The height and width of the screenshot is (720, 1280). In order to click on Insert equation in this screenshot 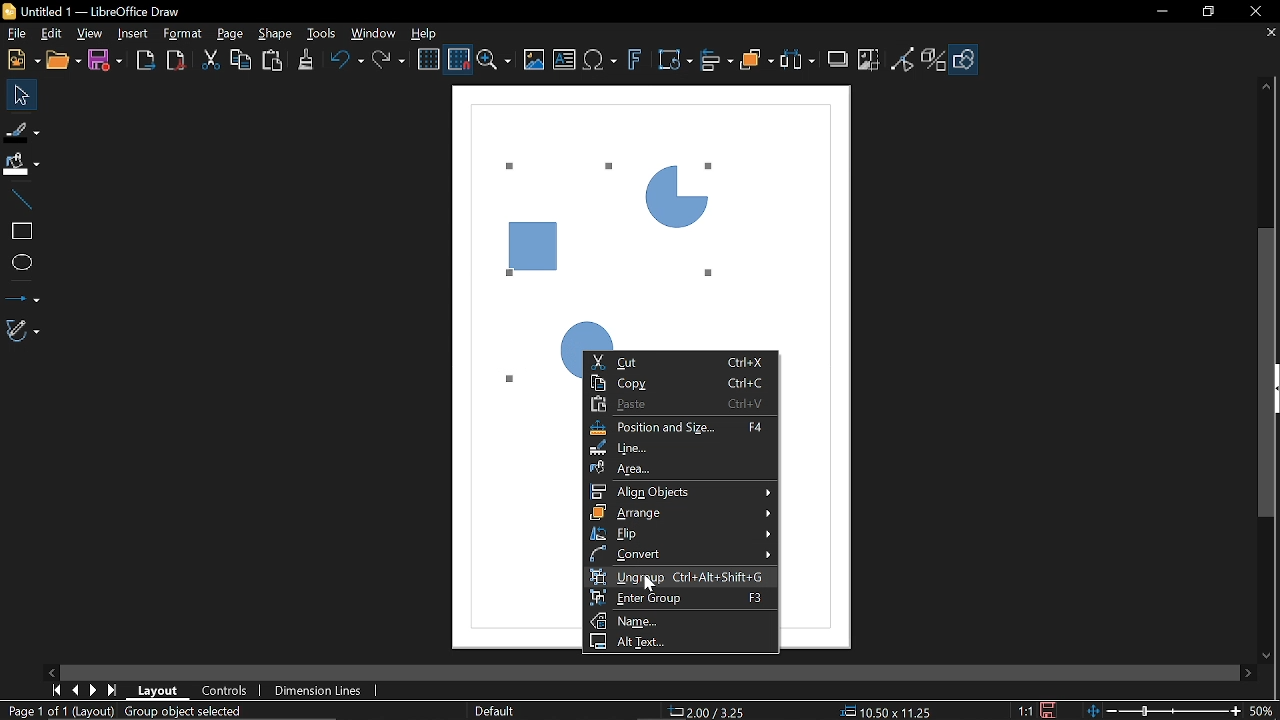, I will do `click(603, 62)`.